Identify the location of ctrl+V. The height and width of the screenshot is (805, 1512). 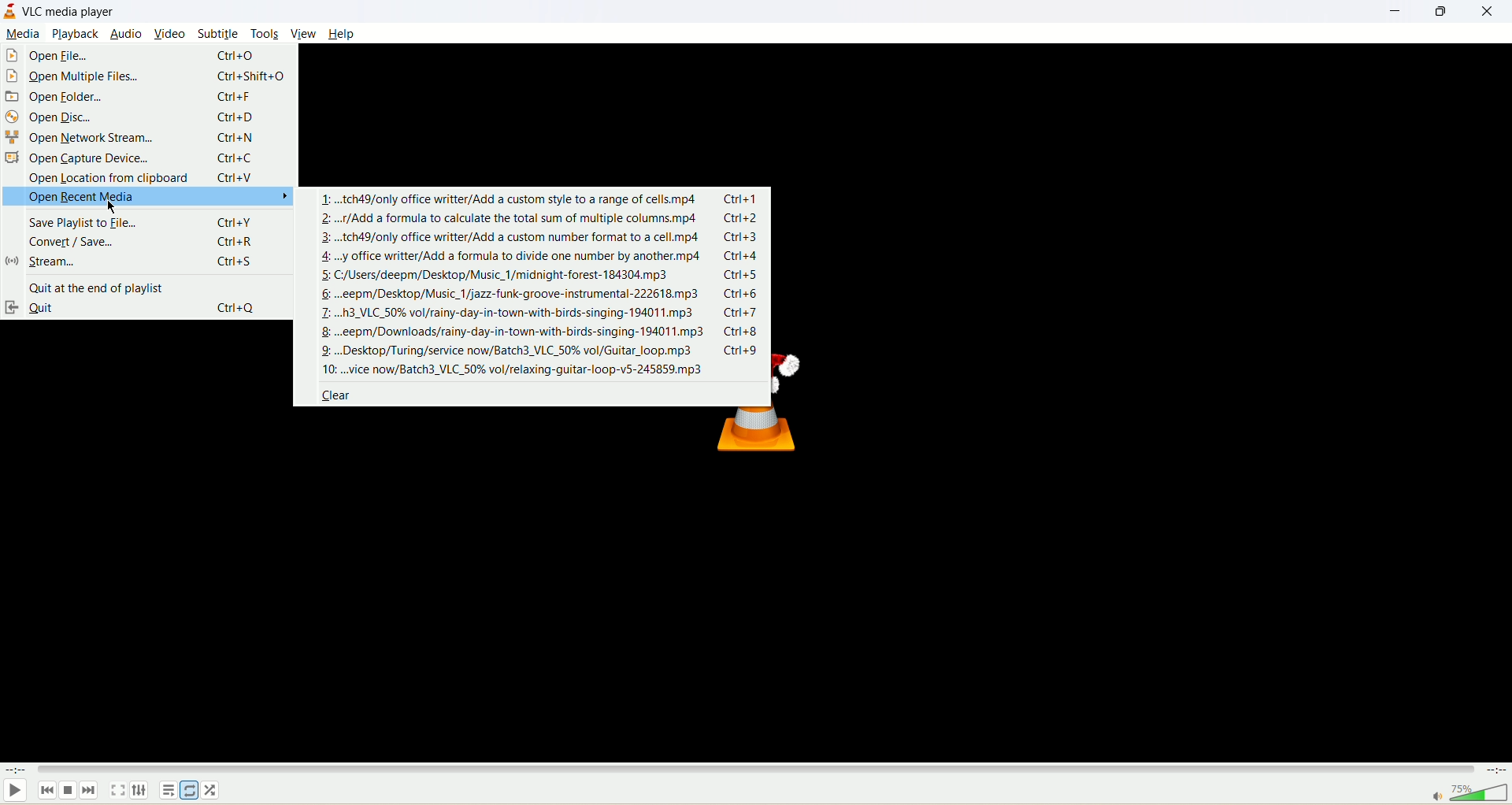
(238, 178).